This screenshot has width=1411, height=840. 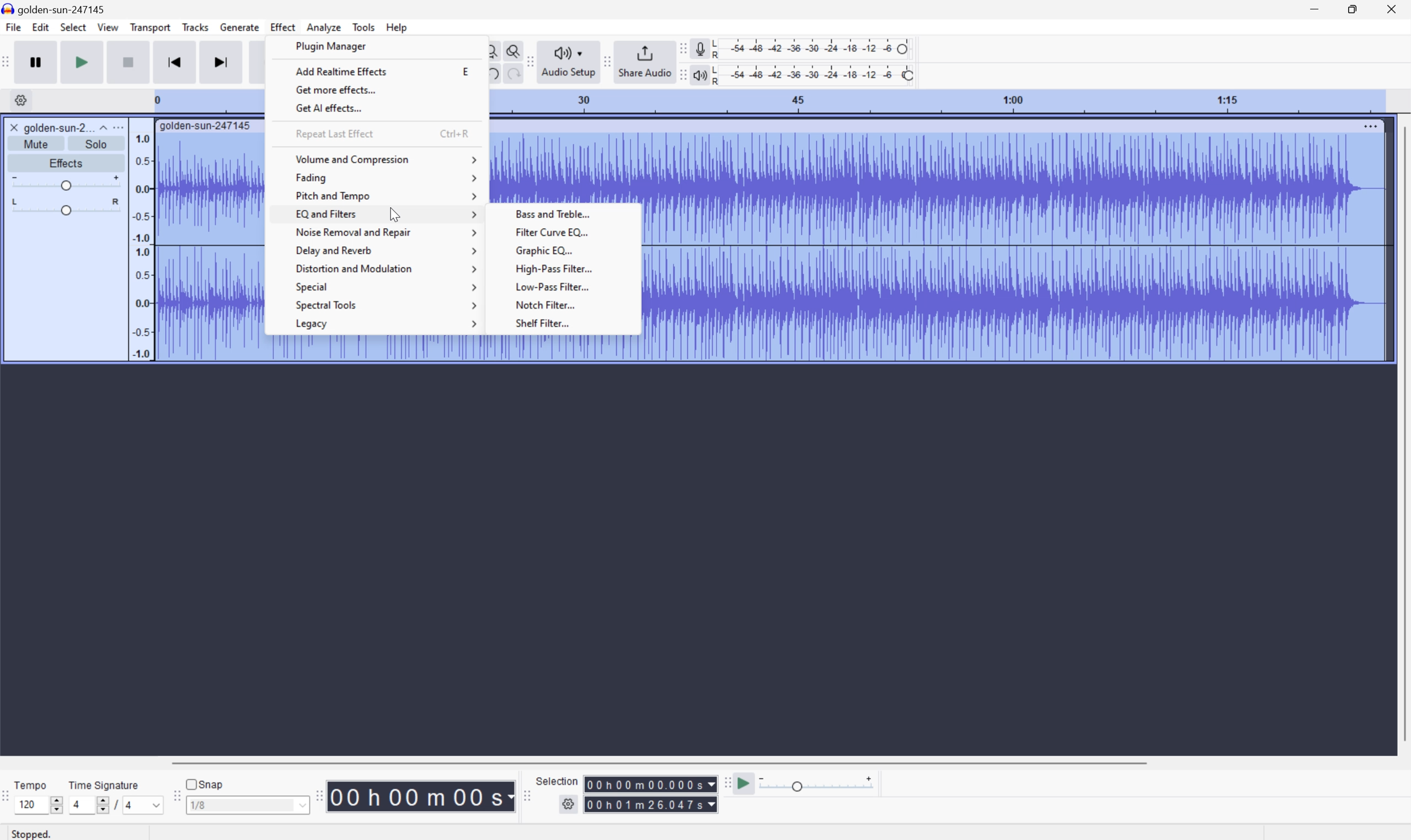 What do you see at coordinates (574, 324) in the screenshot?
I see `Shelf Filter...` at bounding box center [574, 324].